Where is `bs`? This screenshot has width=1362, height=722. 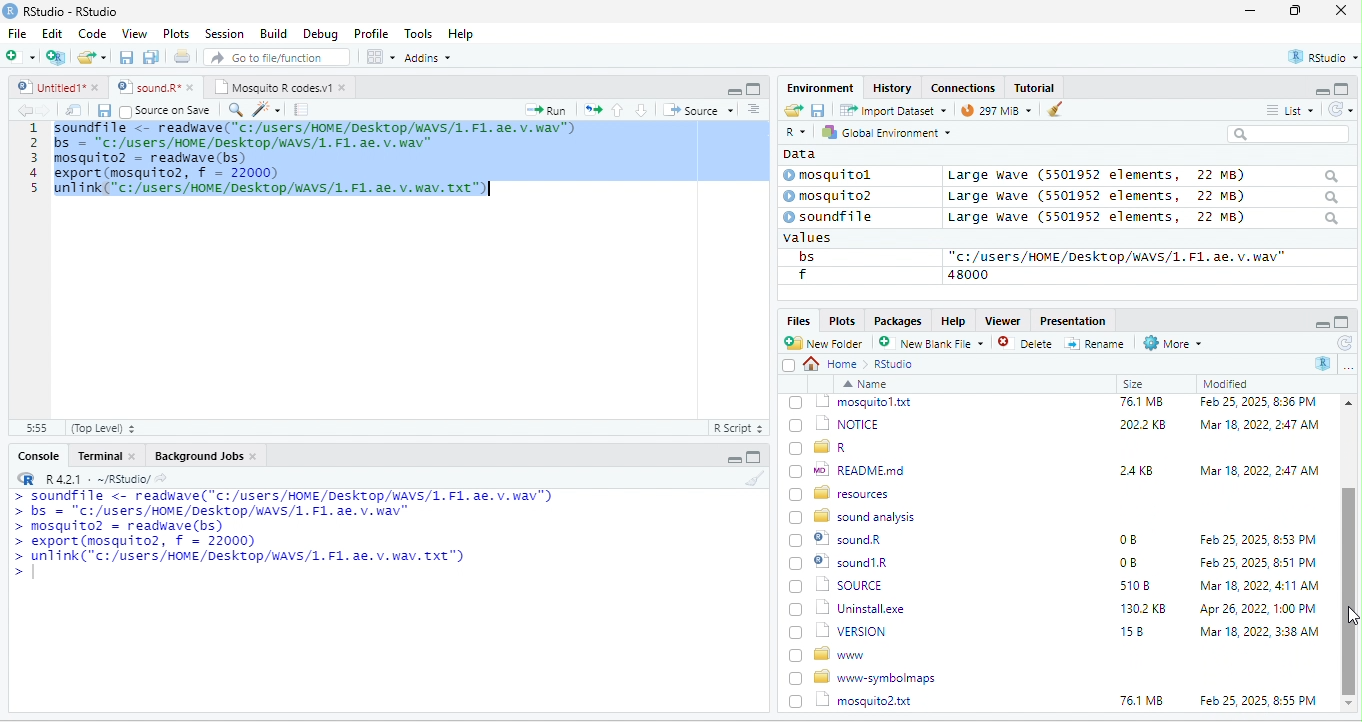 bs is located at coordinates (803, 256).